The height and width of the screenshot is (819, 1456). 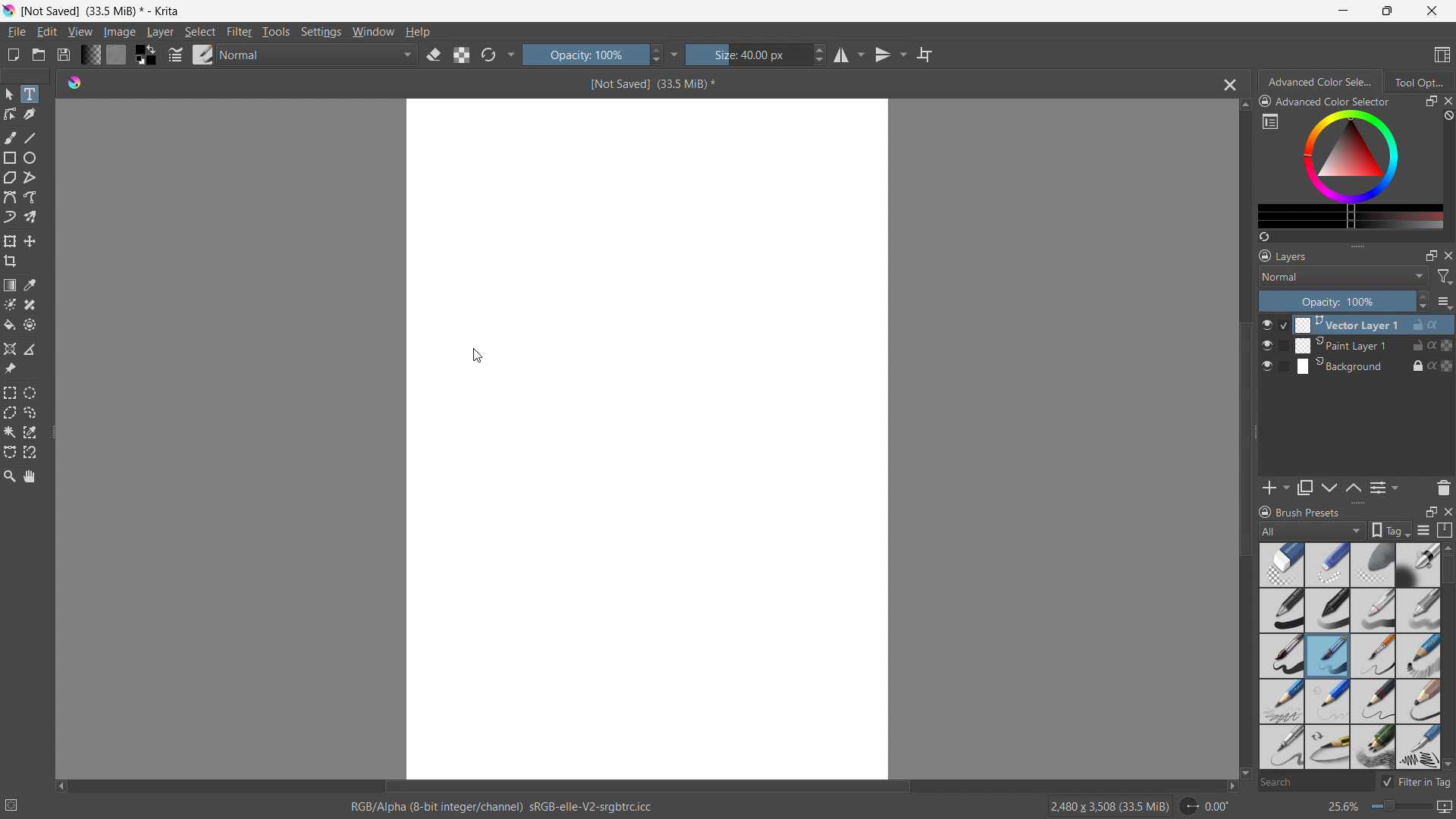 I want to click on bold pencil, so click(x=1420, y=702).